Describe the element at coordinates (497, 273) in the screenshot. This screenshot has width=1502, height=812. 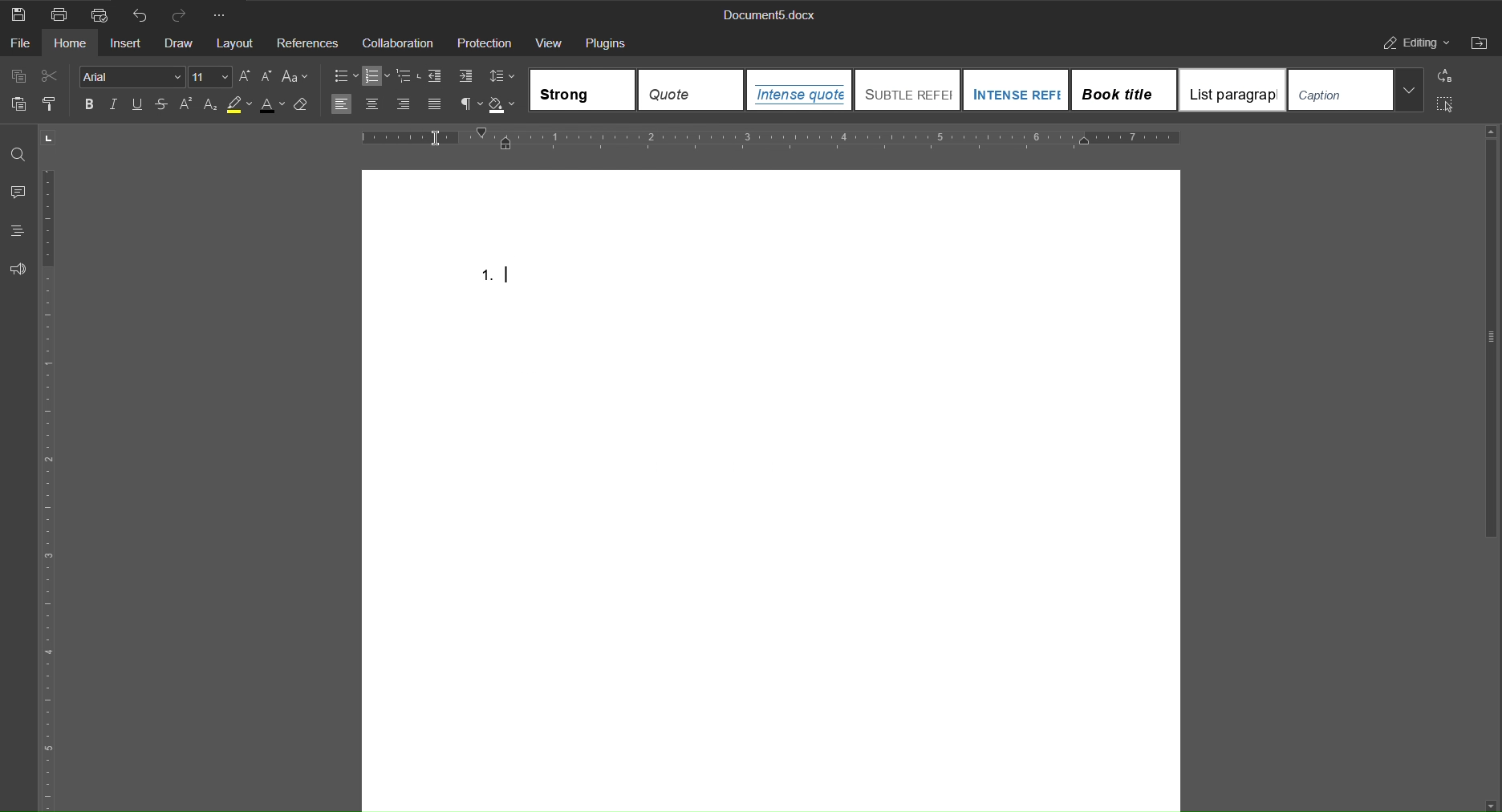
I see `1.` at that location.